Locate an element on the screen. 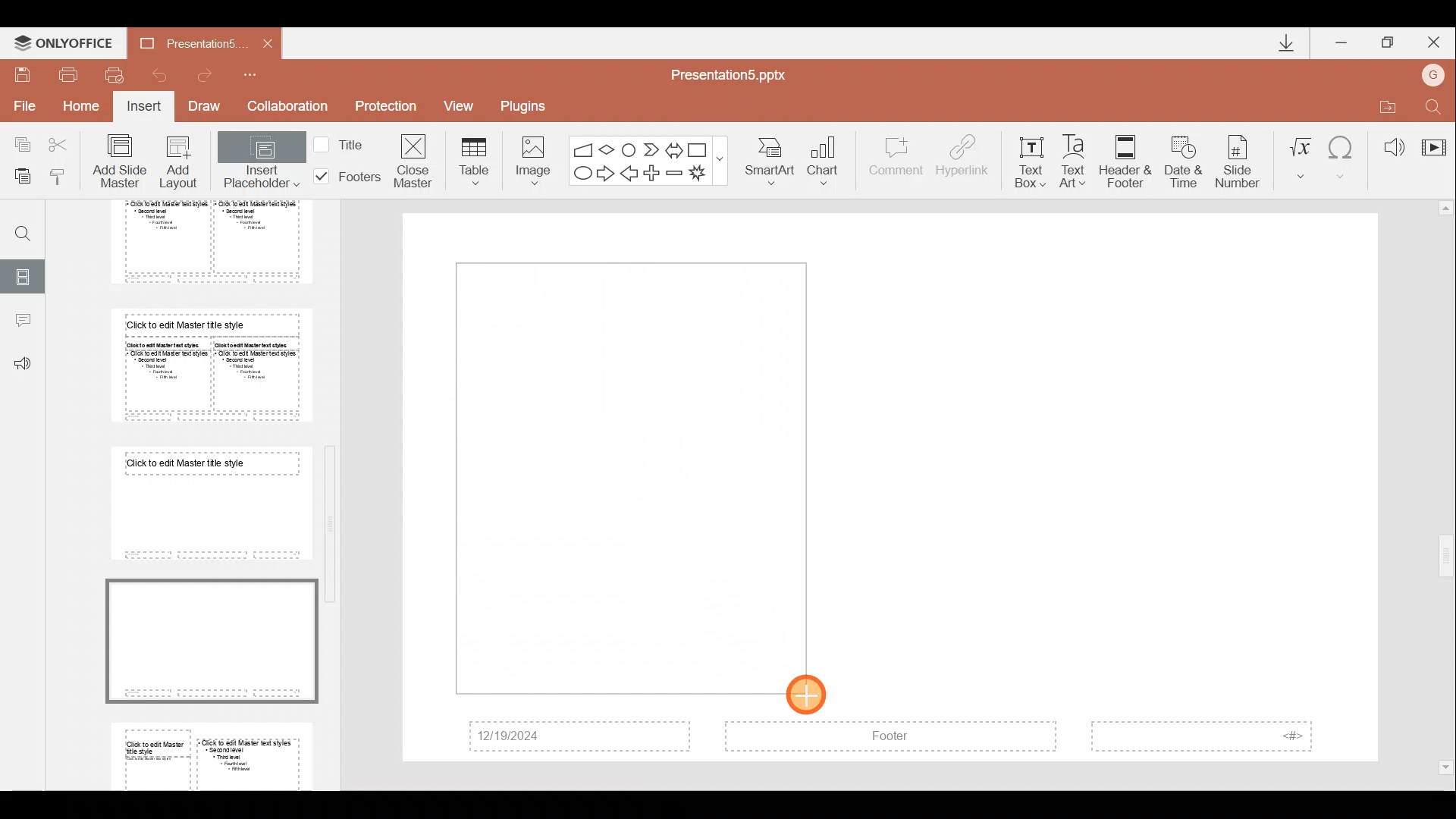 Image resolution: width=1456 pixels, height=819 pixels. Date & time is located at coordinates (1180, 158).